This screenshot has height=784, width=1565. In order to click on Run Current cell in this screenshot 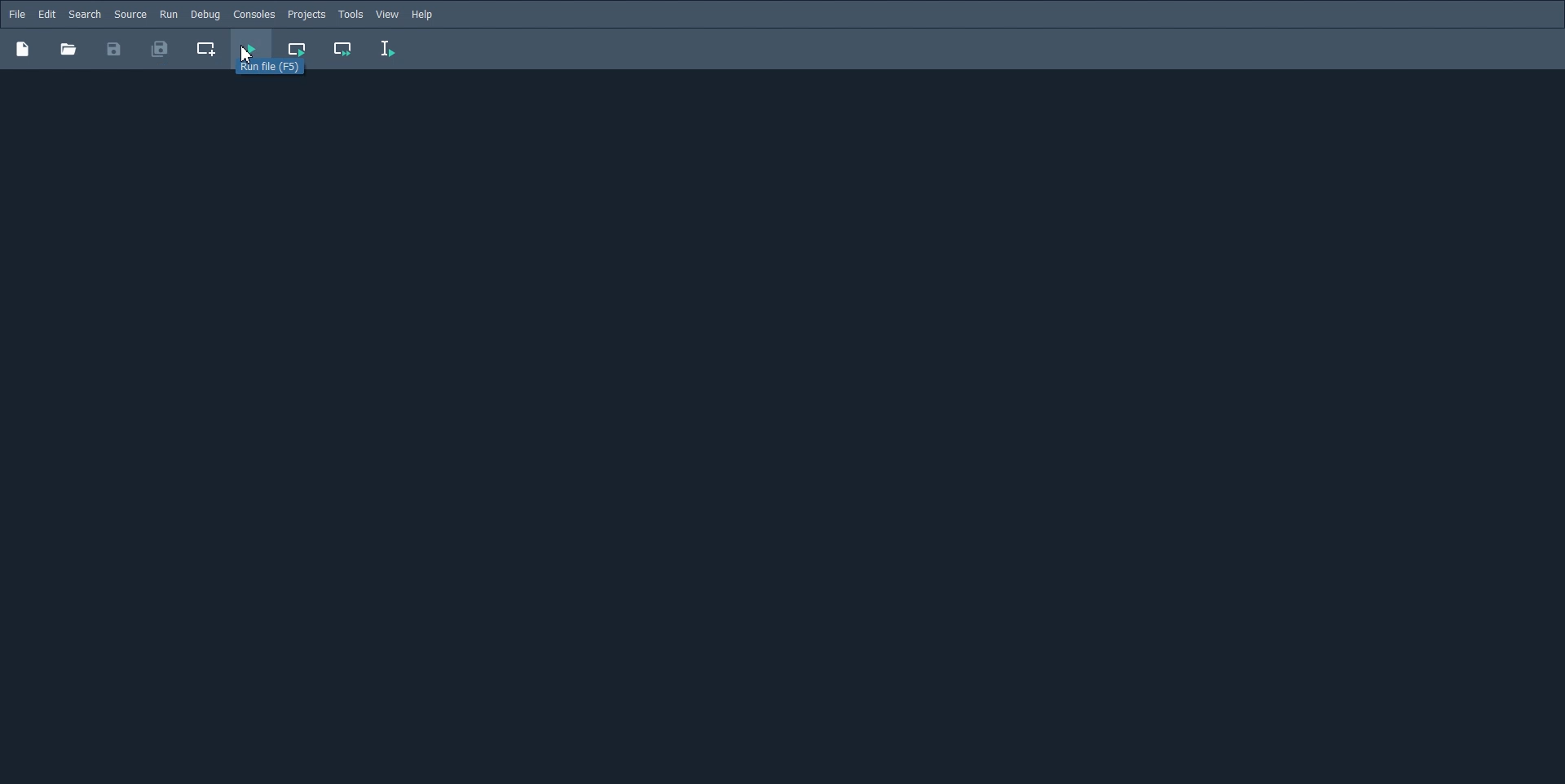, I will do `click(298, 49)`.